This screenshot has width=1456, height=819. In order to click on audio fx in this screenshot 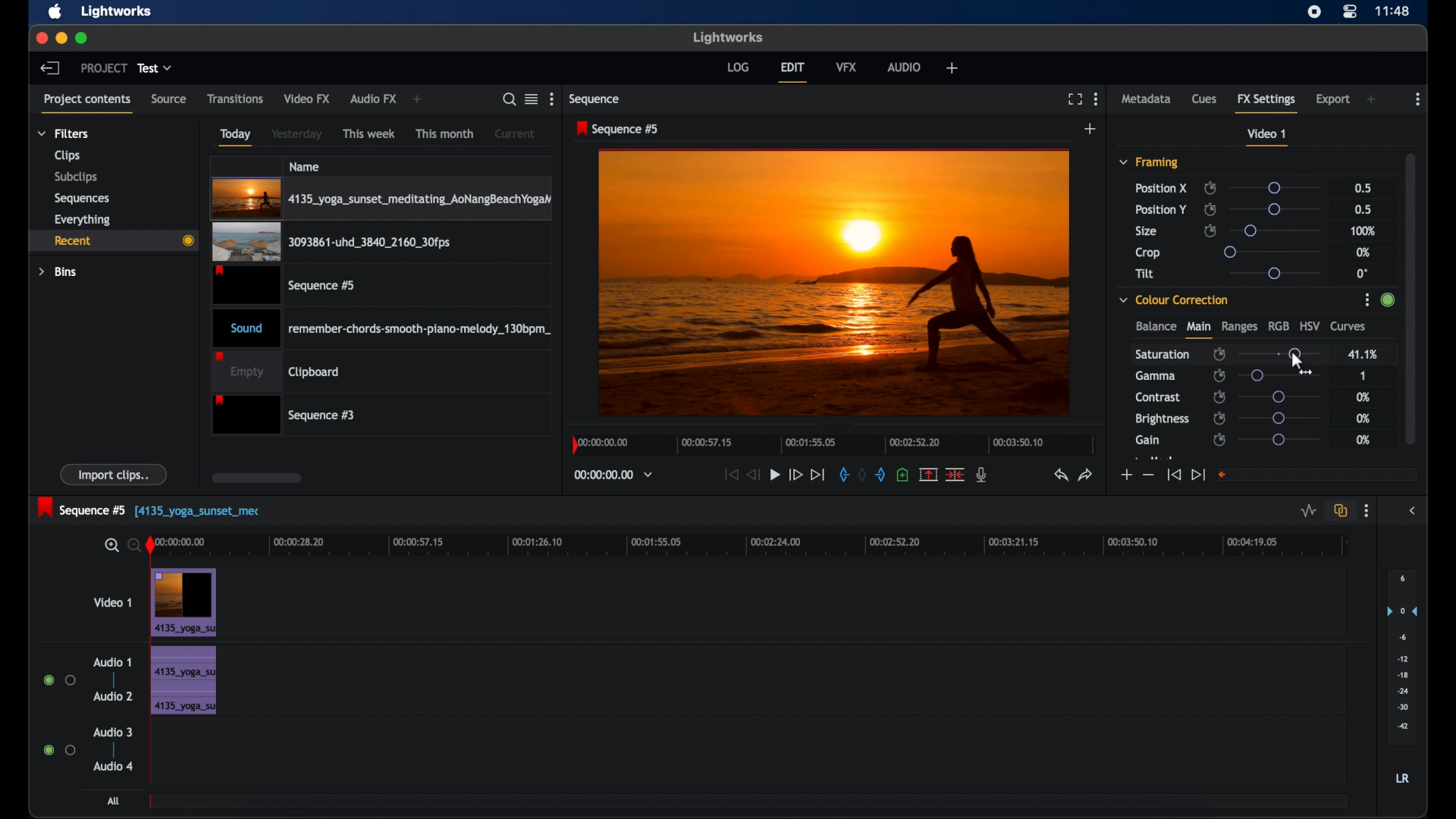, I will do `click(373, 99)`.